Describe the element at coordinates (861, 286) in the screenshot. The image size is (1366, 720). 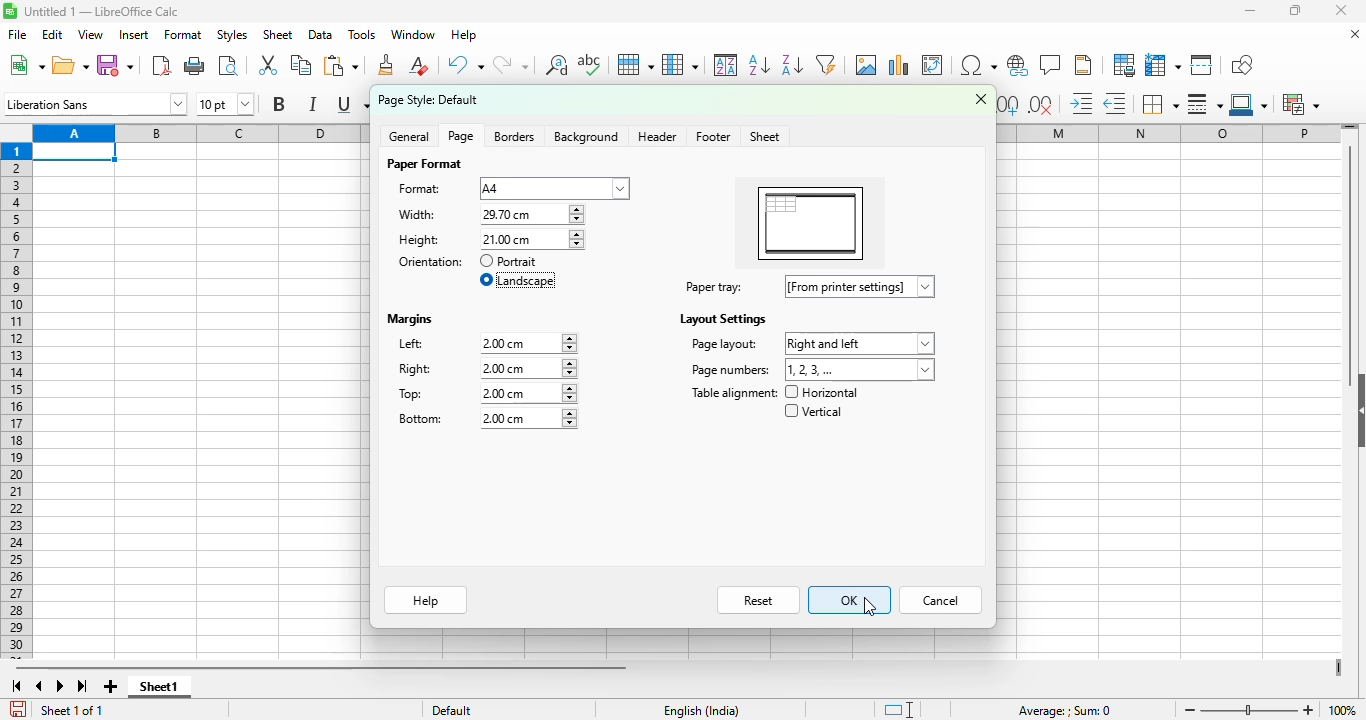
I see `[from printer settings]` at that location.